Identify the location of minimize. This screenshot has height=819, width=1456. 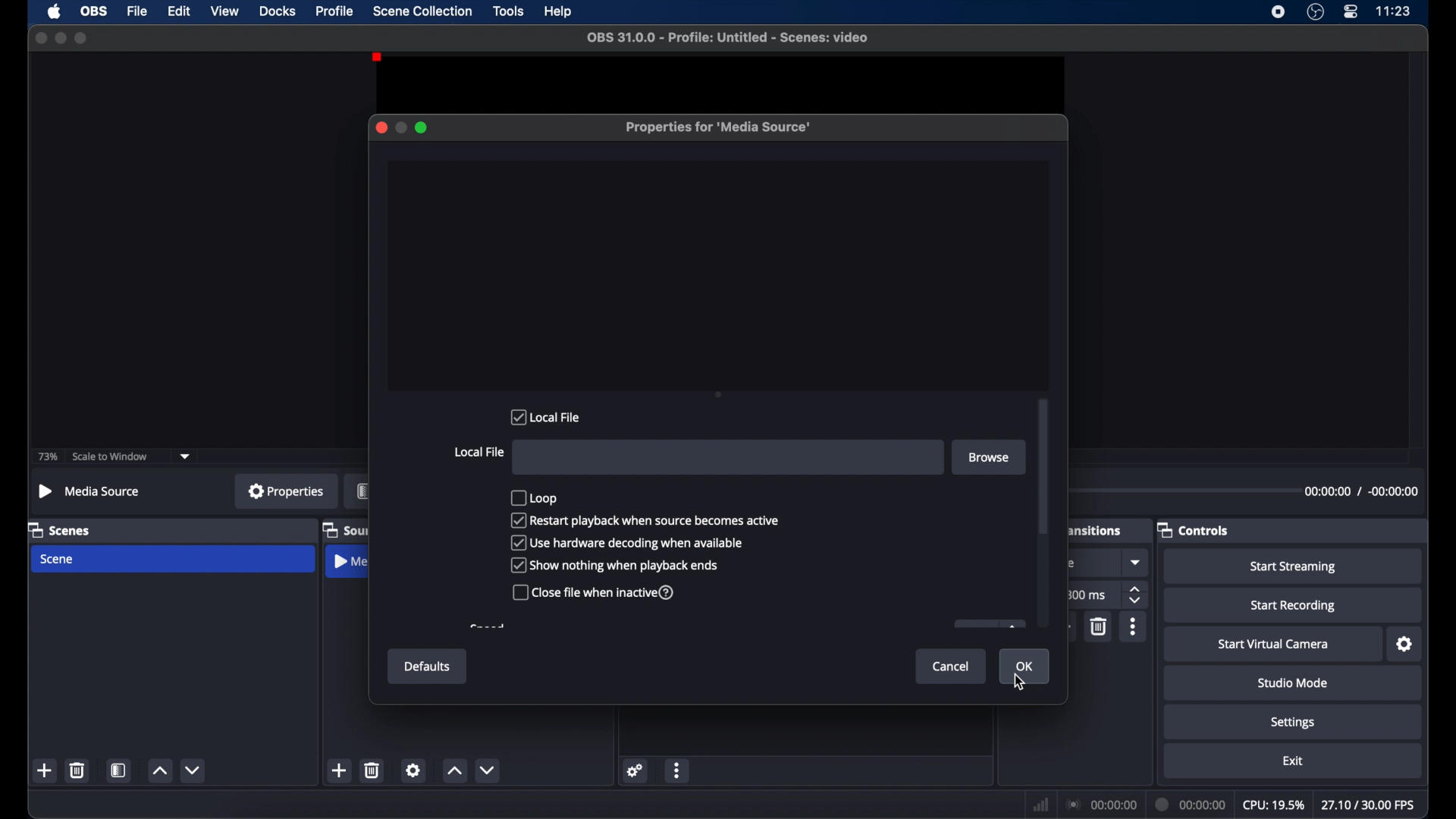
(400, 127).